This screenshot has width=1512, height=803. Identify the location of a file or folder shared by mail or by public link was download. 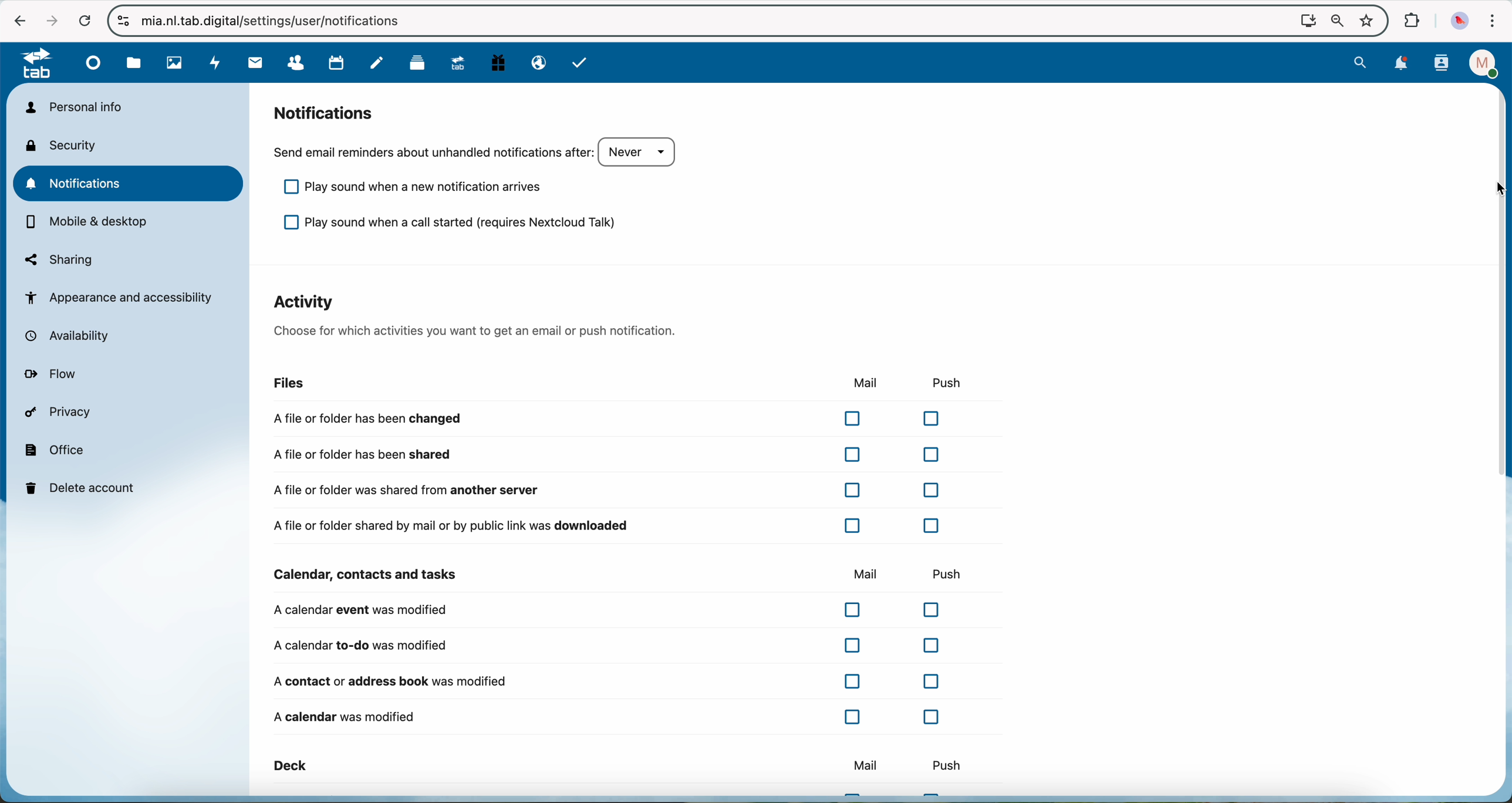
(612, 525).